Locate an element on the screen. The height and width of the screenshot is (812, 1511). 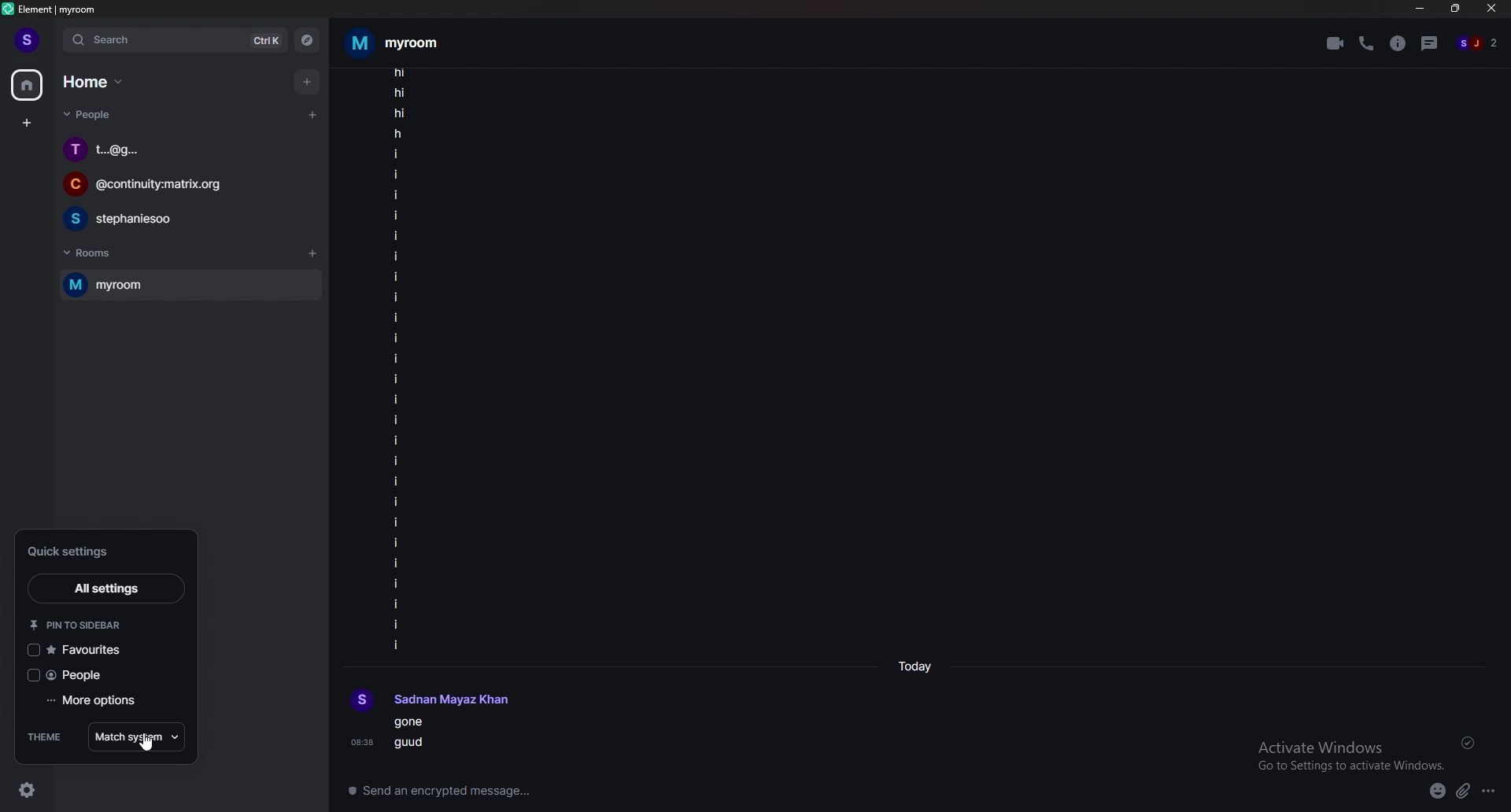
people is located at coordinates (1476, 42).